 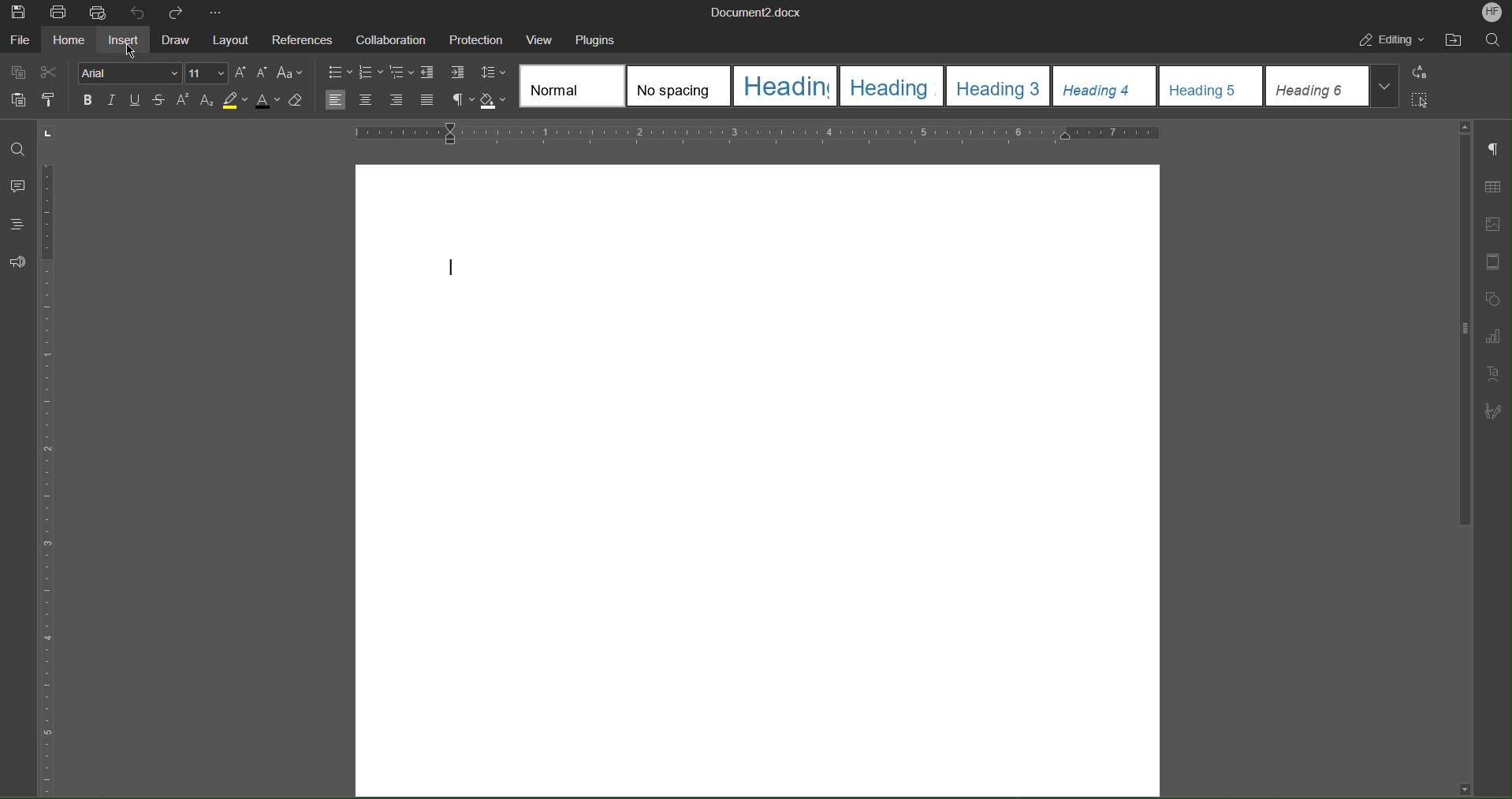 What do you see at coordinates (428, 72) in the screenshot?
I see `Decrease Indent` at bounding box center [428, 72].